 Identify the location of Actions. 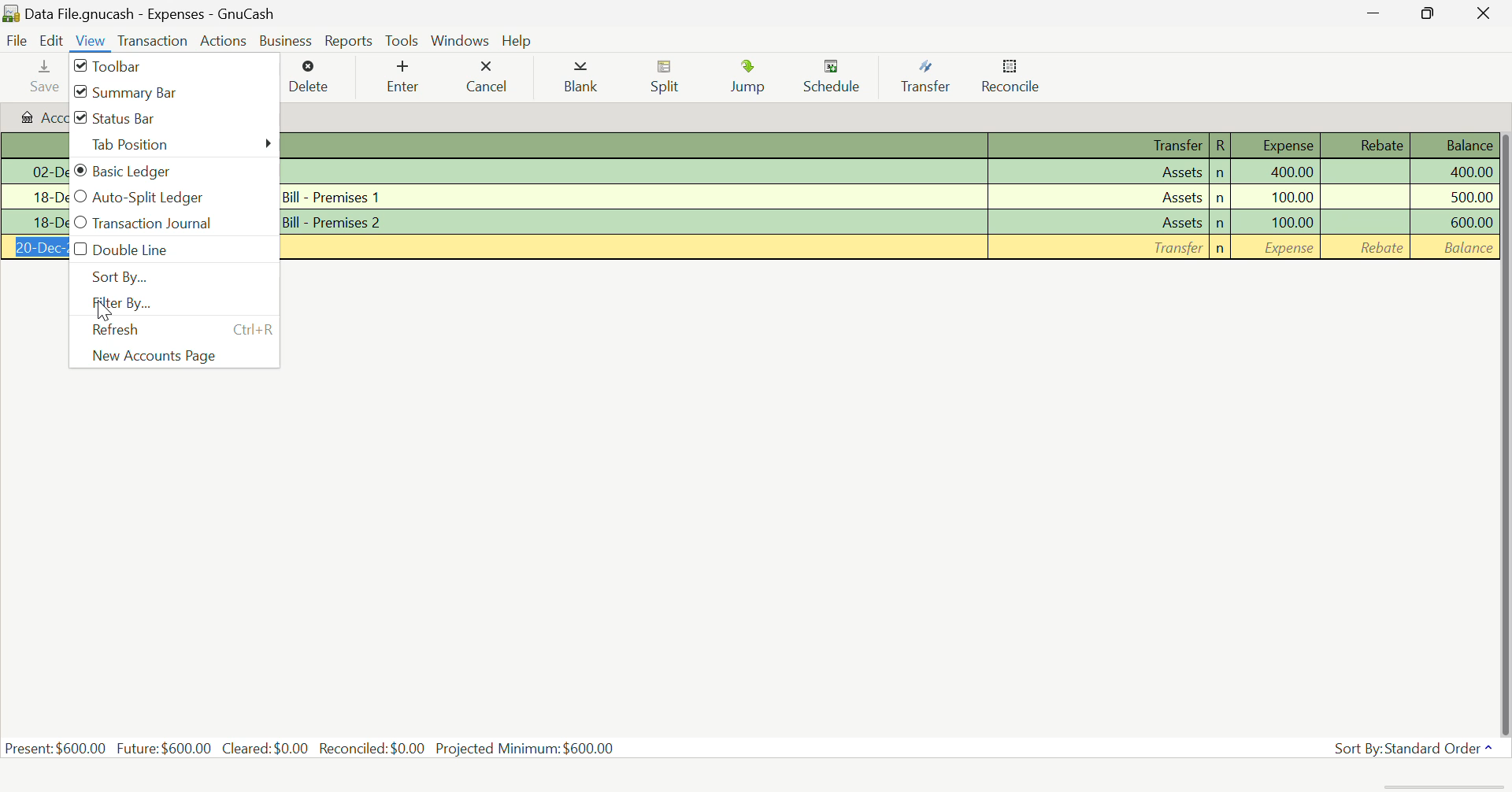
(225, 40).